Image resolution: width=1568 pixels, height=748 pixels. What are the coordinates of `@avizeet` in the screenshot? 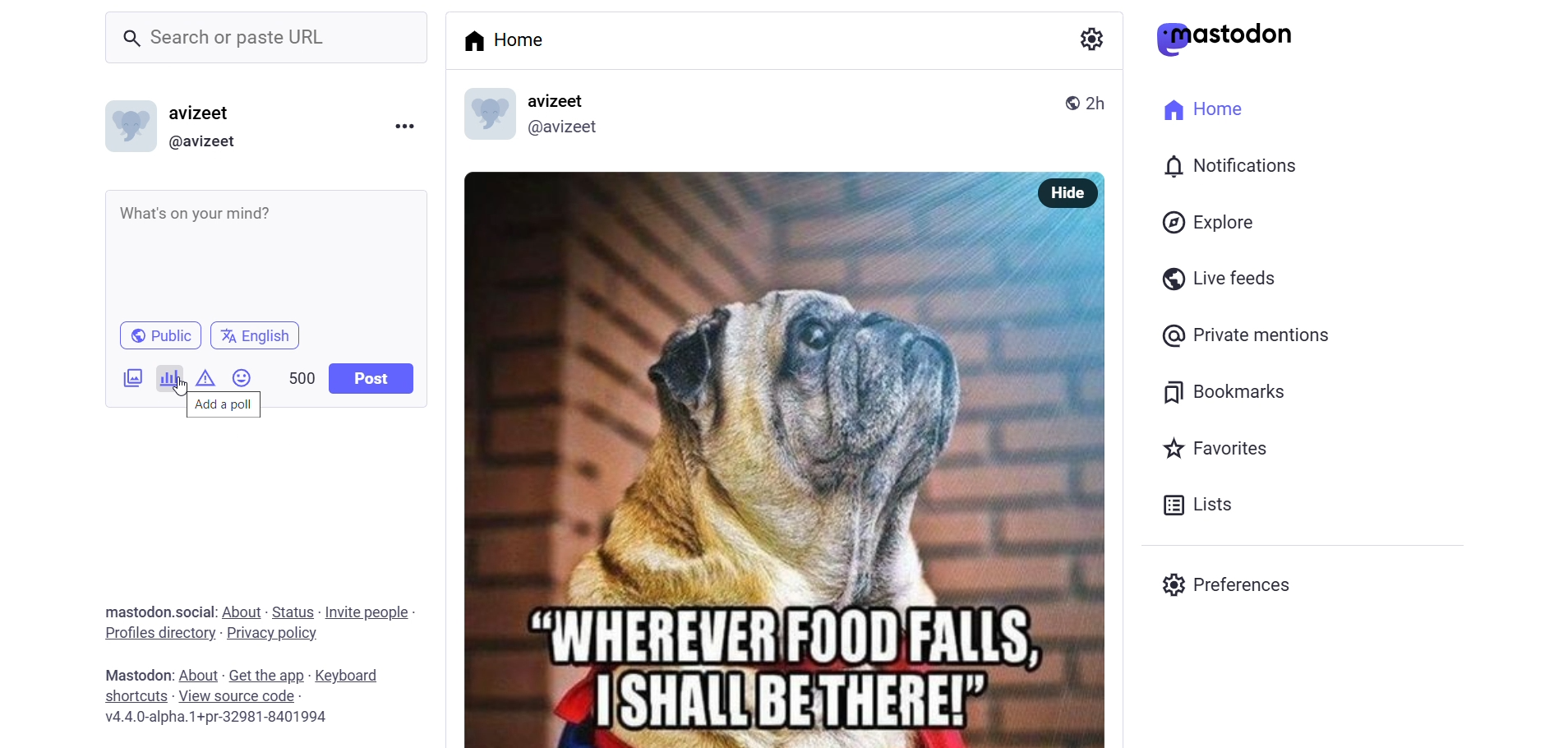 It's located at (202, 142).